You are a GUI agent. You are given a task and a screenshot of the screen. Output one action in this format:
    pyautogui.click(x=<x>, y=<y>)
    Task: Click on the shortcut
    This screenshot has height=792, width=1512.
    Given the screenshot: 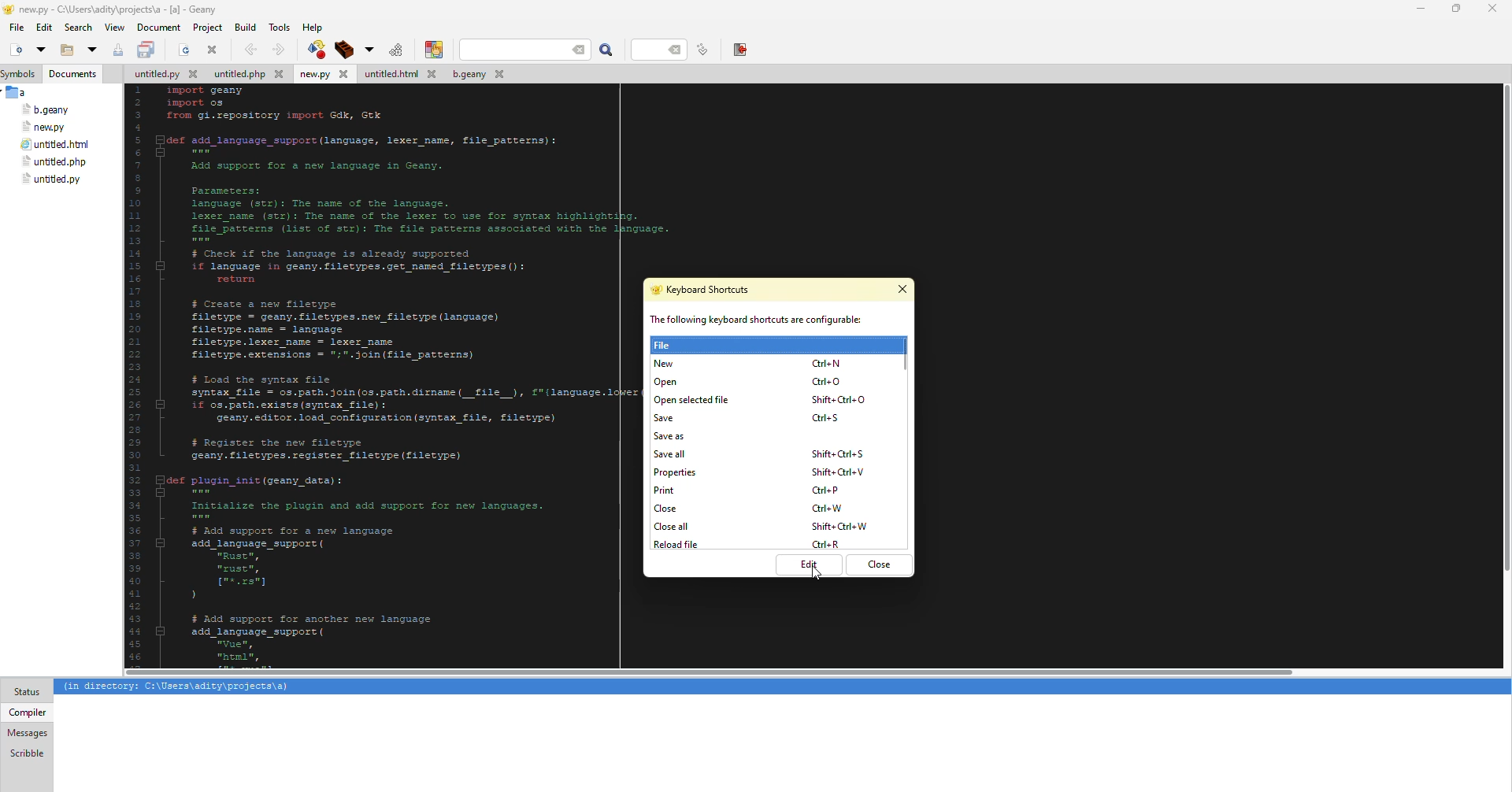 What is the action you would take?
    pyautogui.click(x=826, y=380)
    